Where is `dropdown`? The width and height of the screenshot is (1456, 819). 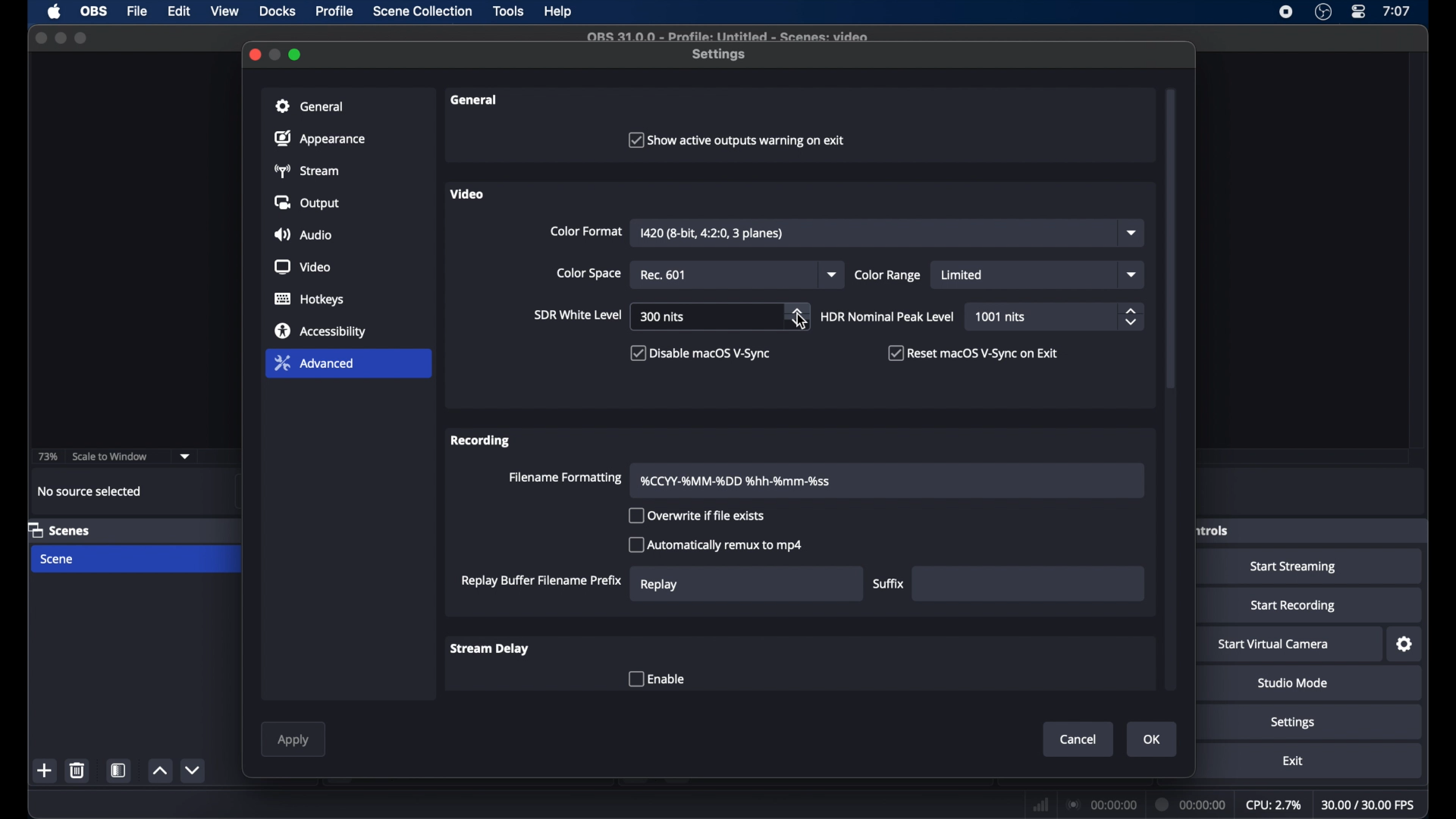
dropdown is located at coordinates (1132, 275).